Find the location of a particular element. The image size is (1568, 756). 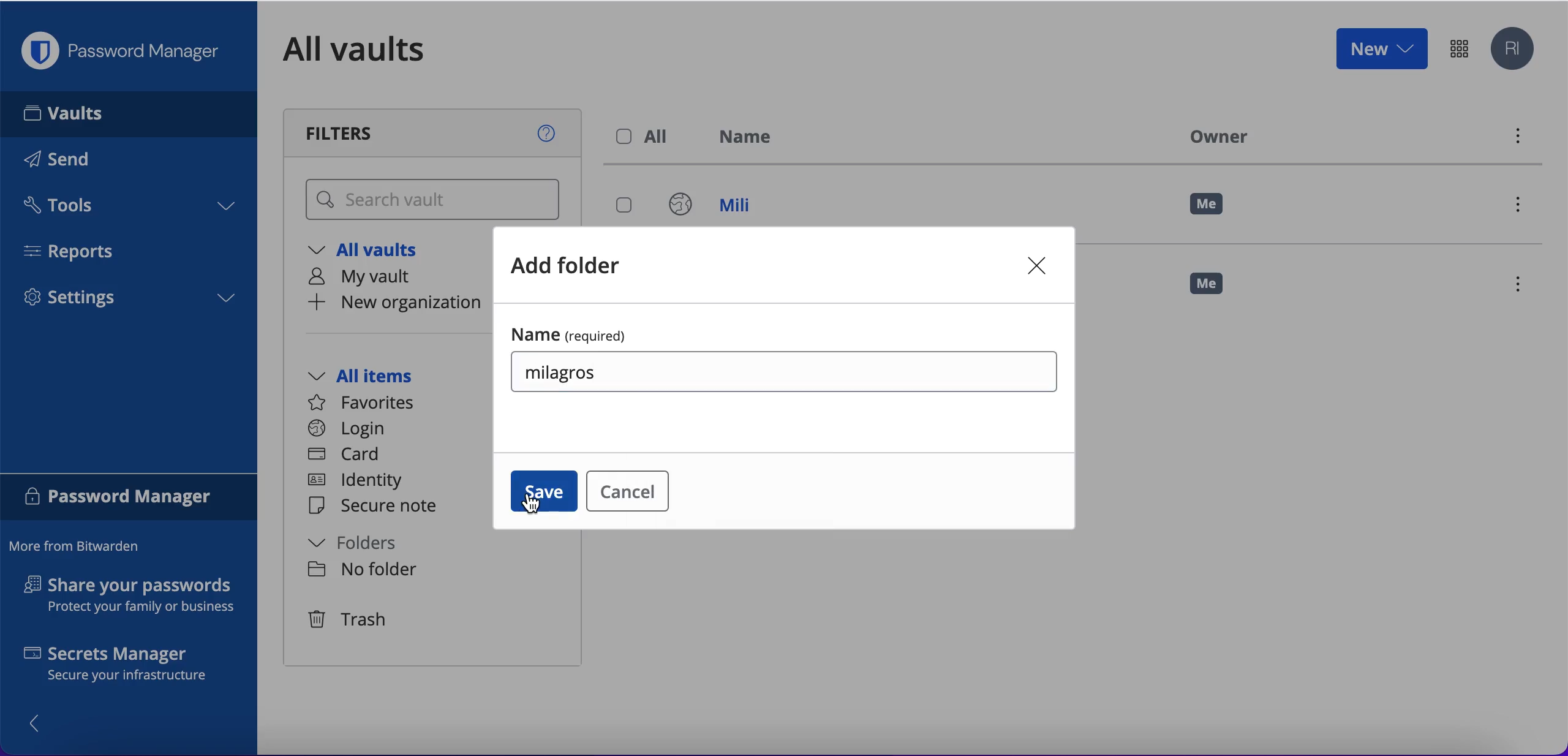

menu is located at coordinates (1516, 139).